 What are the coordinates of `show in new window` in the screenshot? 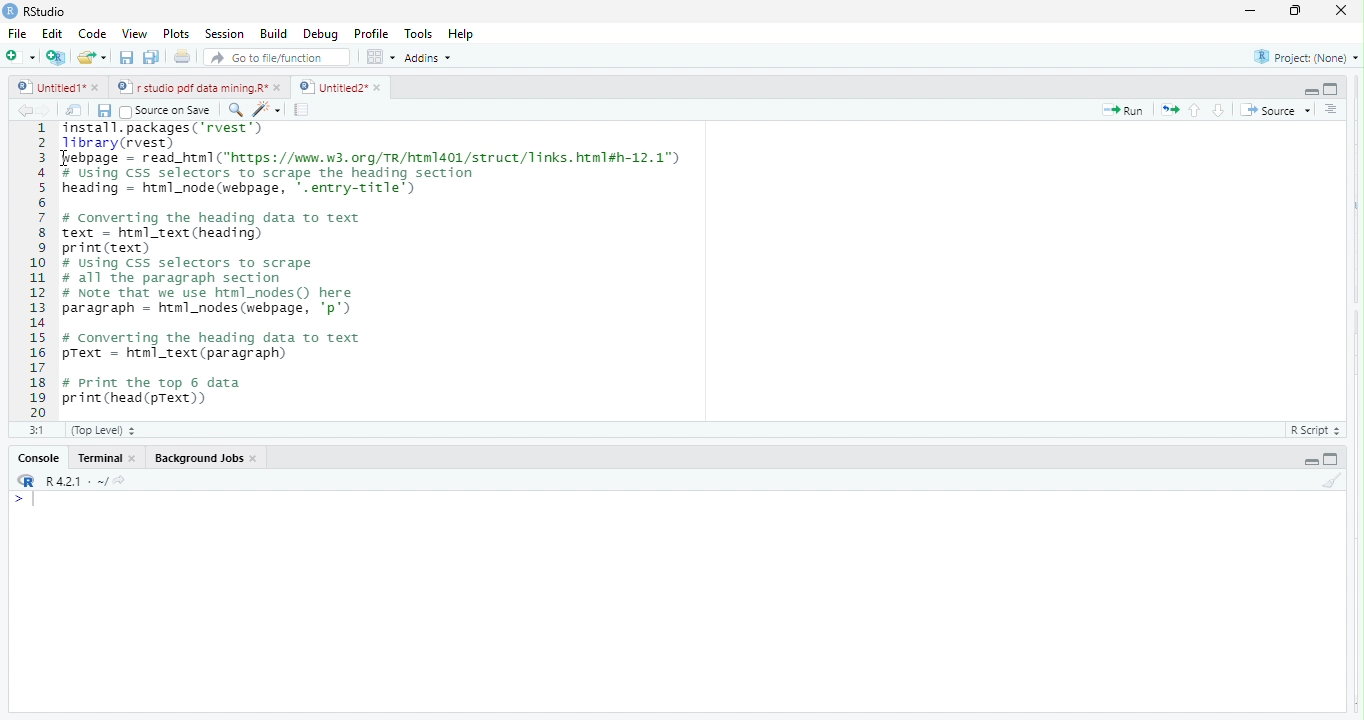 It's located at (75, 112).